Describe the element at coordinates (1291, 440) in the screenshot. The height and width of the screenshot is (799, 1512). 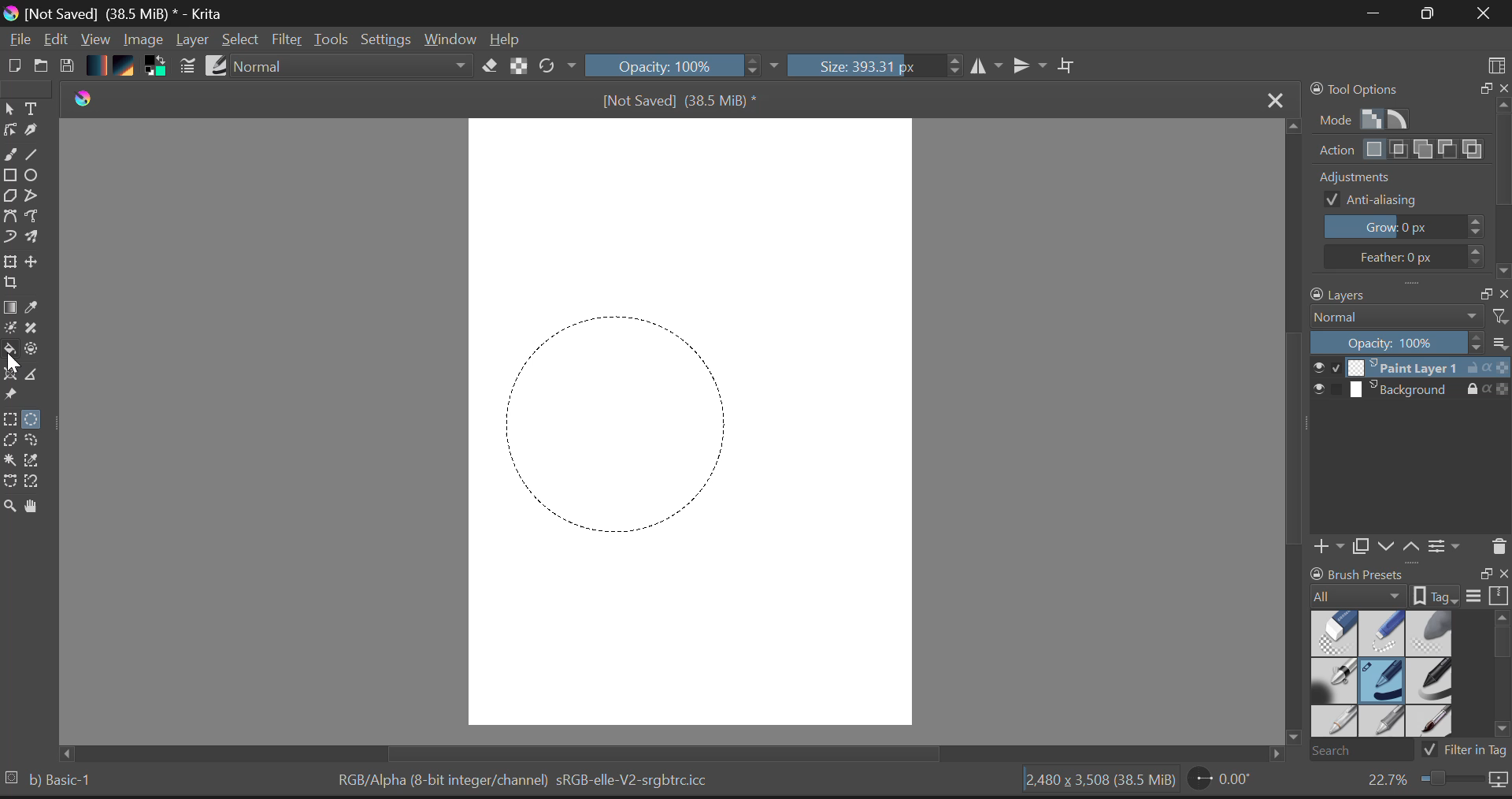
I see `Scroll Bar` at that location.